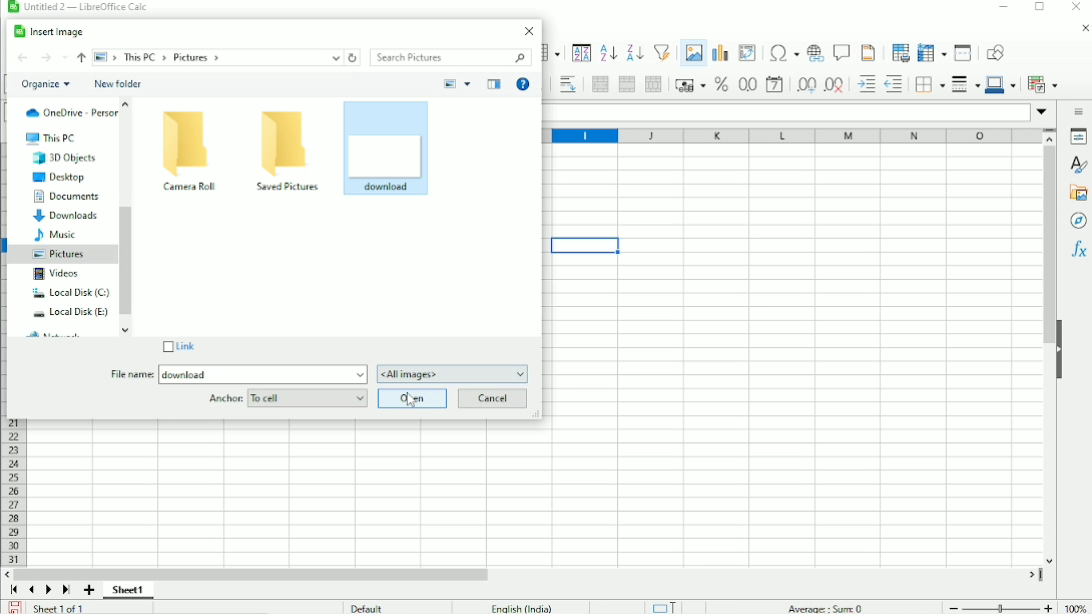 This screenshot has height=614, width=1092. Describe the element at coordinates (1079, 248) in the screenshot. I see `Functions` at that location.